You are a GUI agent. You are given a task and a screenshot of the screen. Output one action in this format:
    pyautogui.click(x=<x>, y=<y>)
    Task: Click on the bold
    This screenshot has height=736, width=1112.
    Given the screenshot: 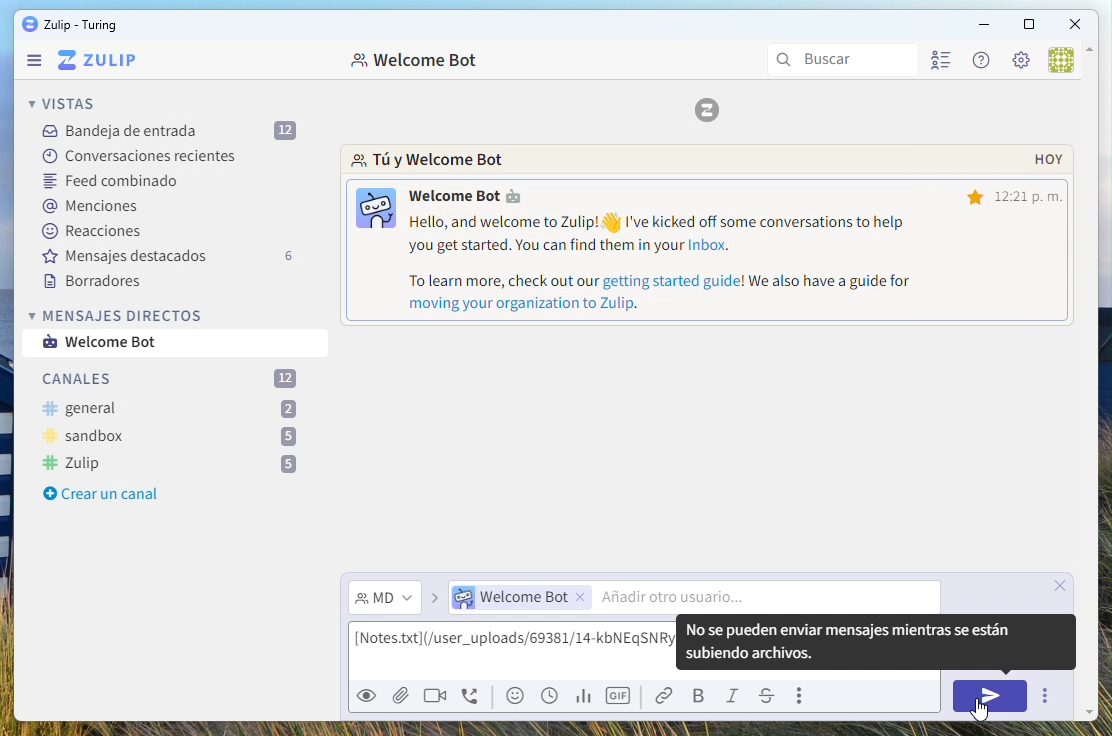 What is the action you would take?
    pyautogui.click(x=701, y=697)
    